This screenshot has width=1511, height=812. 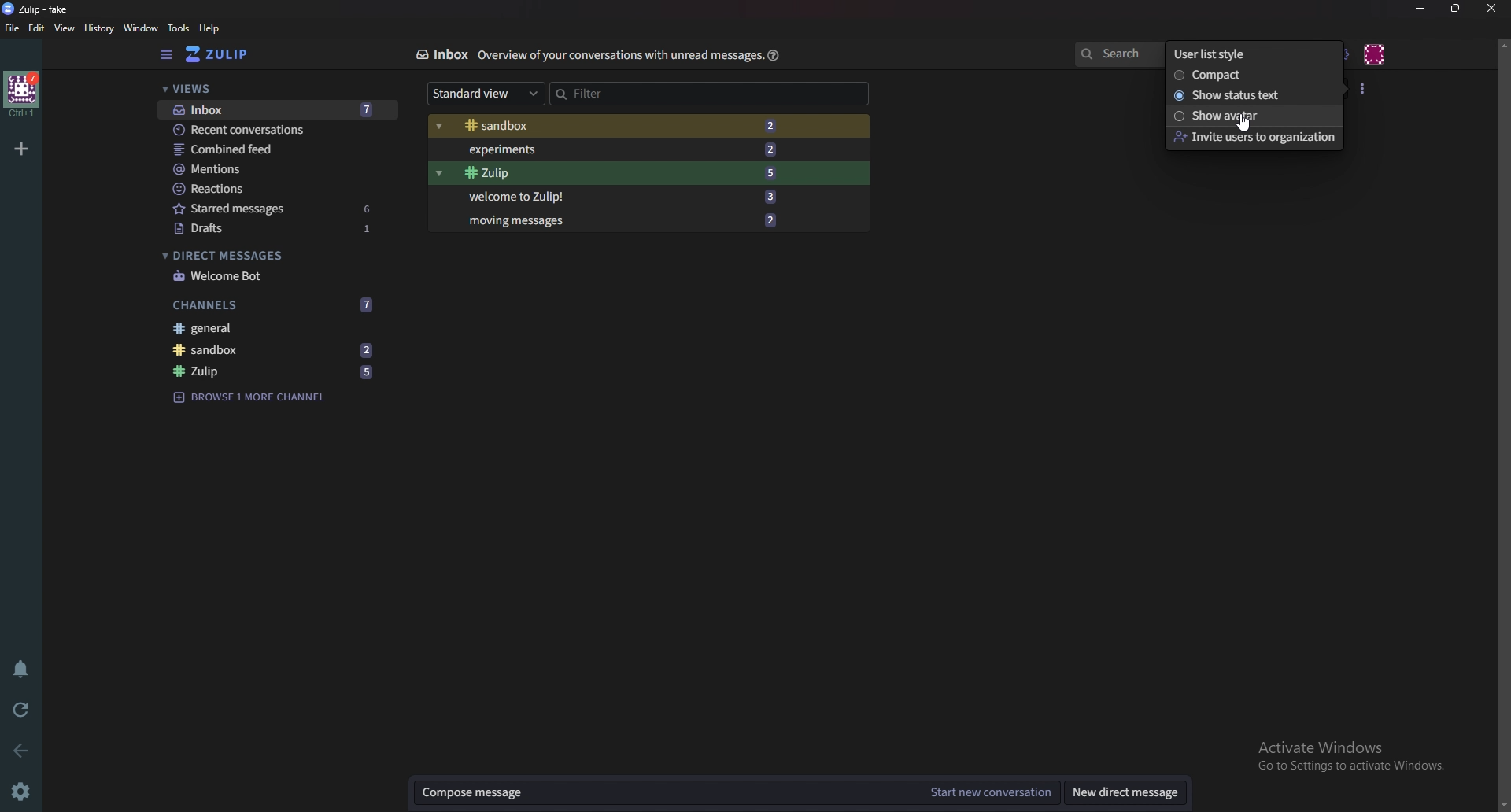 I want to click on Starred messages, so click(x=274, y=209).